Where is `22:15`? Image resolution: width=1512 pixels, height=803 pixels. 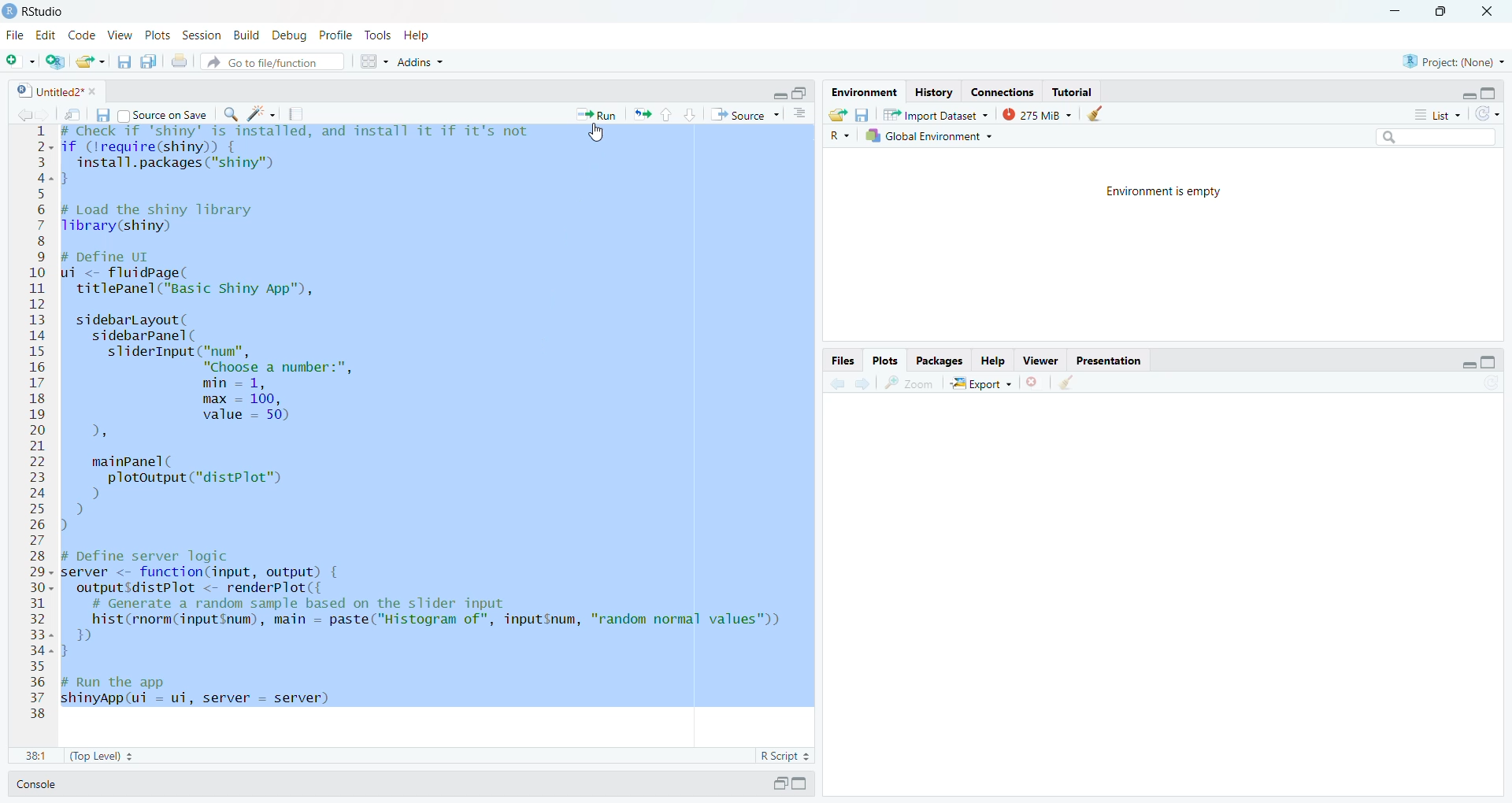 22:15 is located at coordinates (36, 756).